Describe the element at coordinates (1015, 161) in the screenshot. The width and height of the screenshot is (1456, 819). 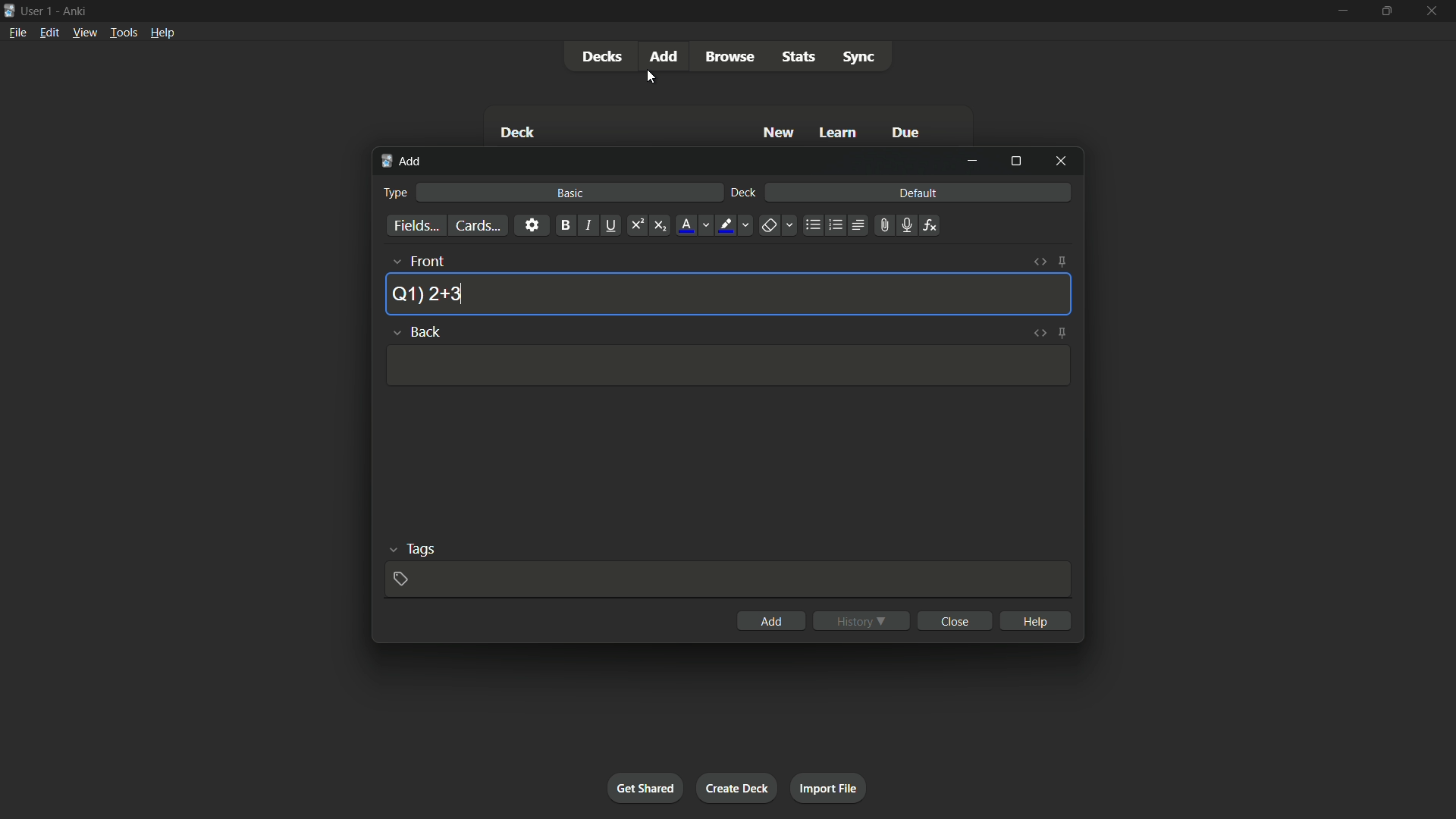
I see `maximize` at that location.